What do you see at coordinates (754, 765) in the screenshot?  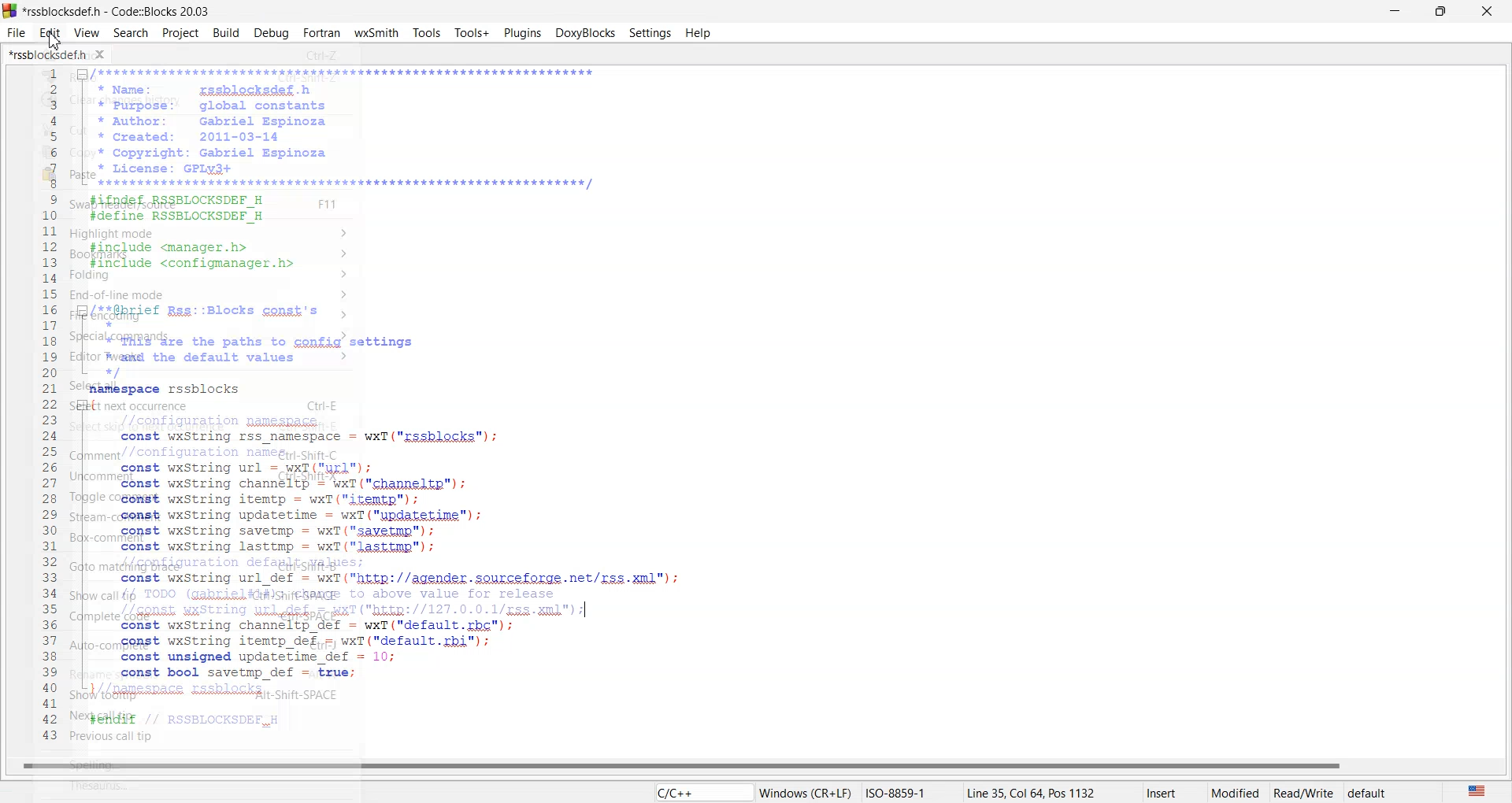 I see `Horizontal scroll war` at bounding box center [754, 765].